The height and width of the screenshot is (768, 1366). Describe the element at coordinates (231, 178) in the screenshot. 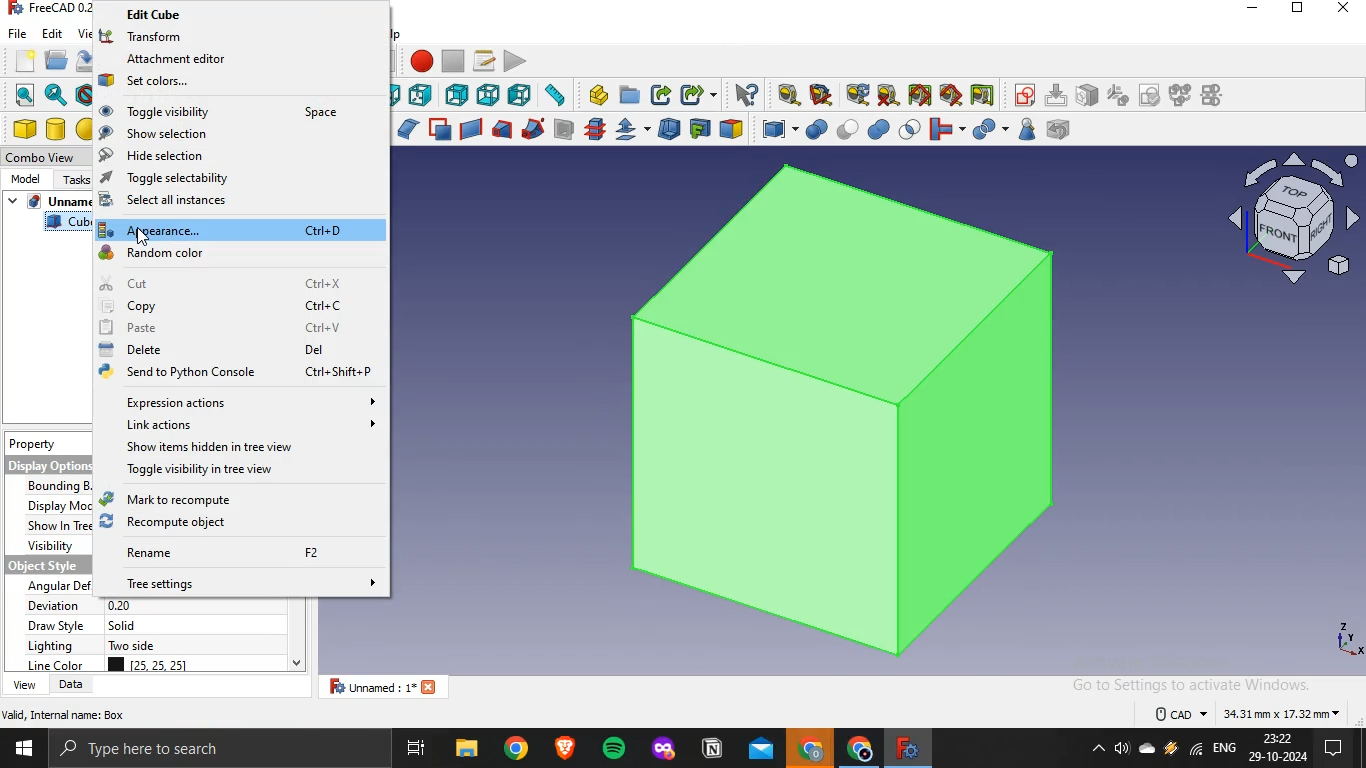

I see `toggle selectability` at that location.